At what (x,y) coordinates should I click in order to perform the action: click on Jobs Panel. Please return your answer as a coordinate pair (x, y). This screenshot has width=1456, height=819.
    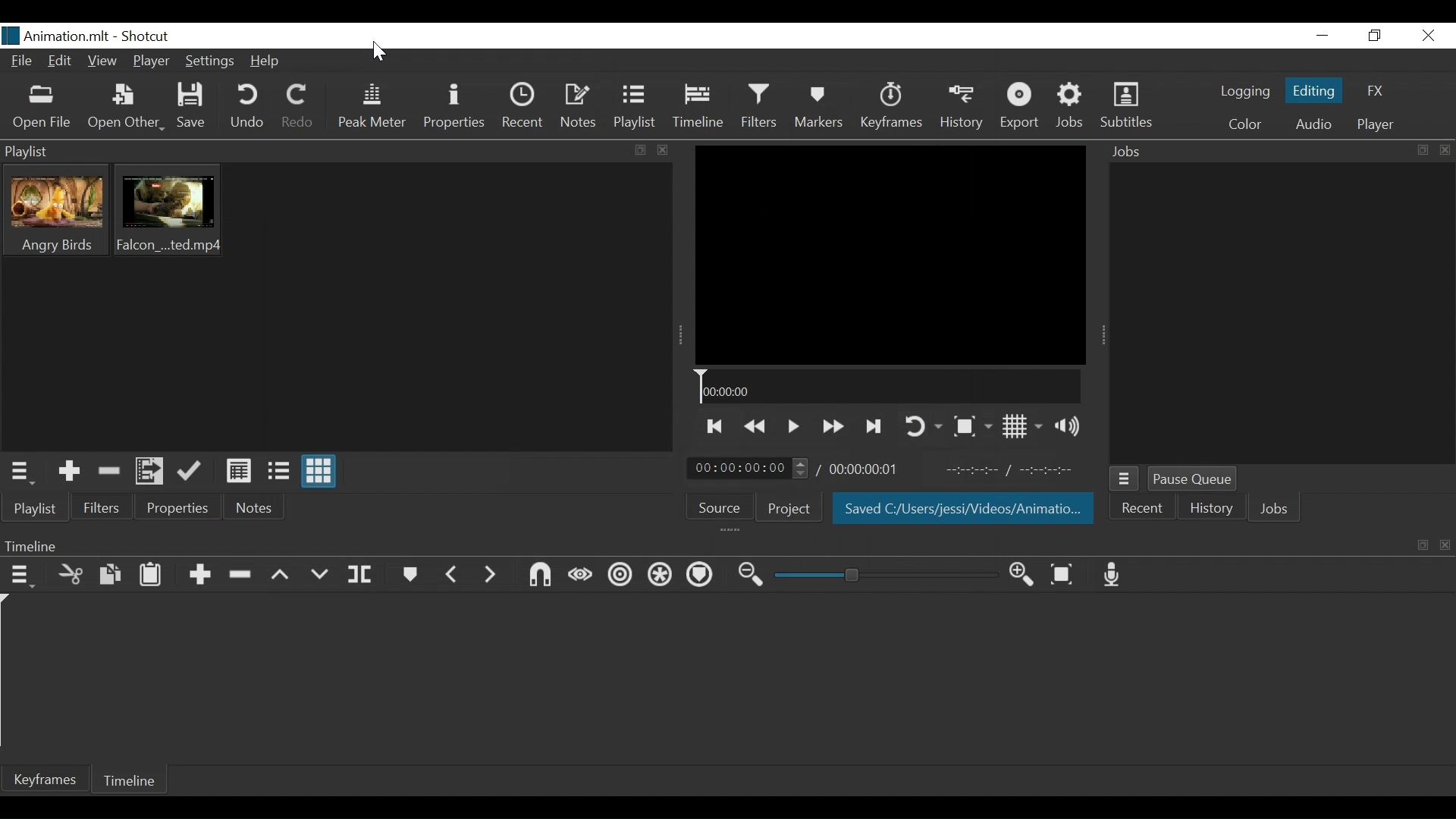
    Looking at the image, I should click on (1284, 317).